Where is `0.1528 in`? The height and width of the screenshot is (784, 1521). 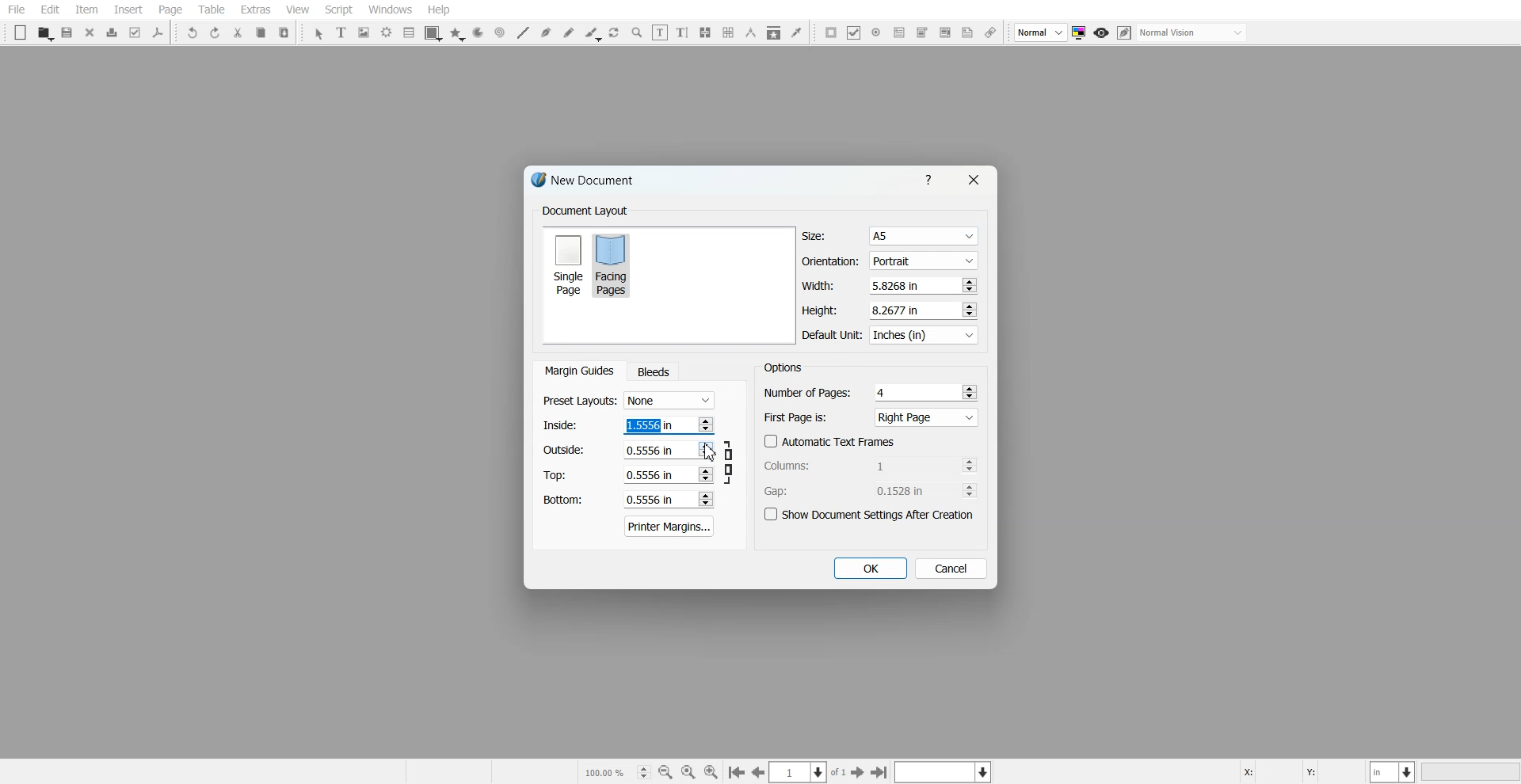 0.1528 in is located at coordinates (905, 490).